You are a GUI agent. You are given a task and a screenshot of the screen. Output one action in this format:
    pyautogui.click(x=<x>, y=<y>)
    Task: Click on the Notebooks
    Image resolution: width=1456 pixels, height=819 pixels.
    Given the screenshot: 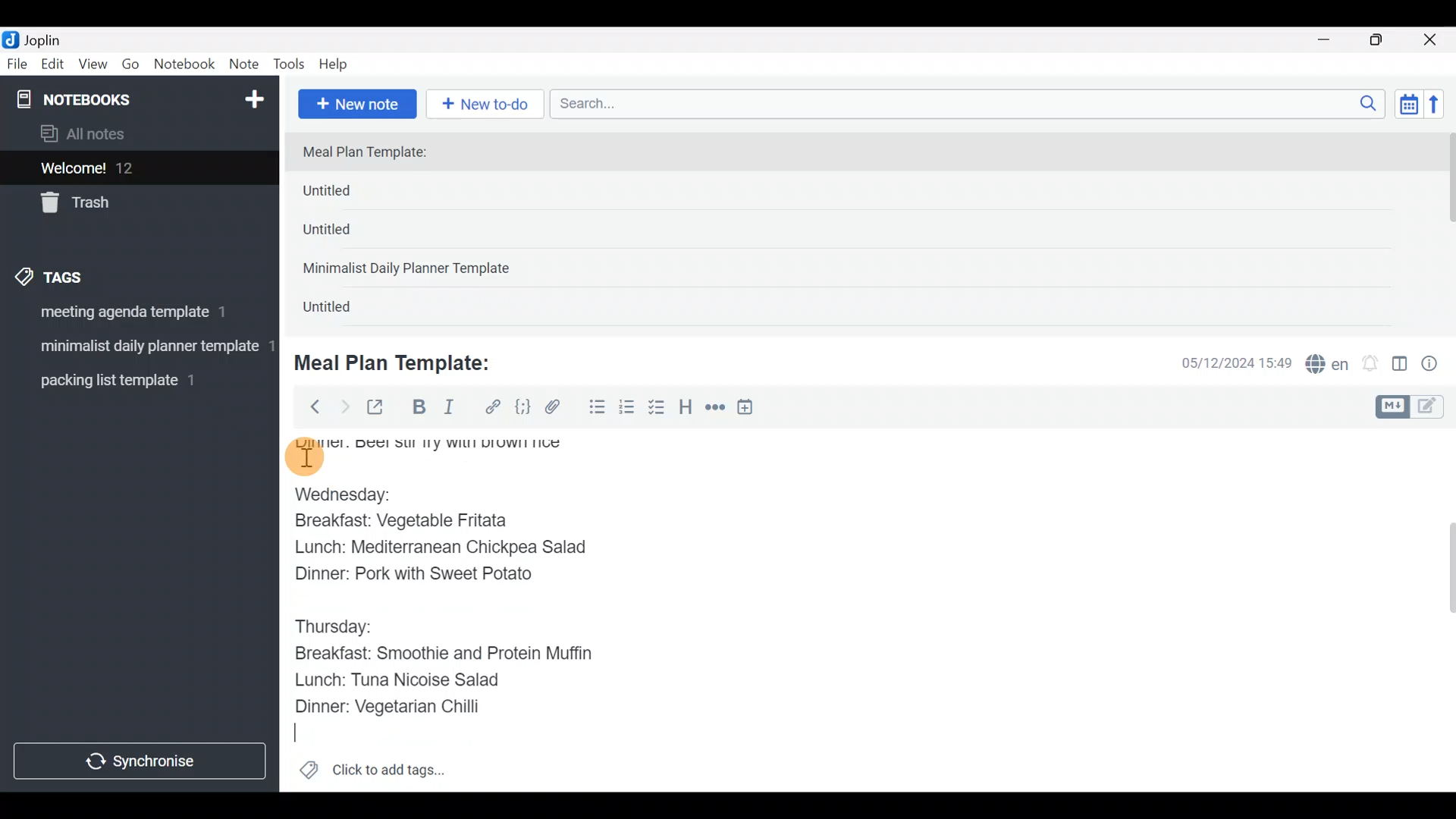 What is the action you would take?
    pyautogui.click(x=107, y=99)
    